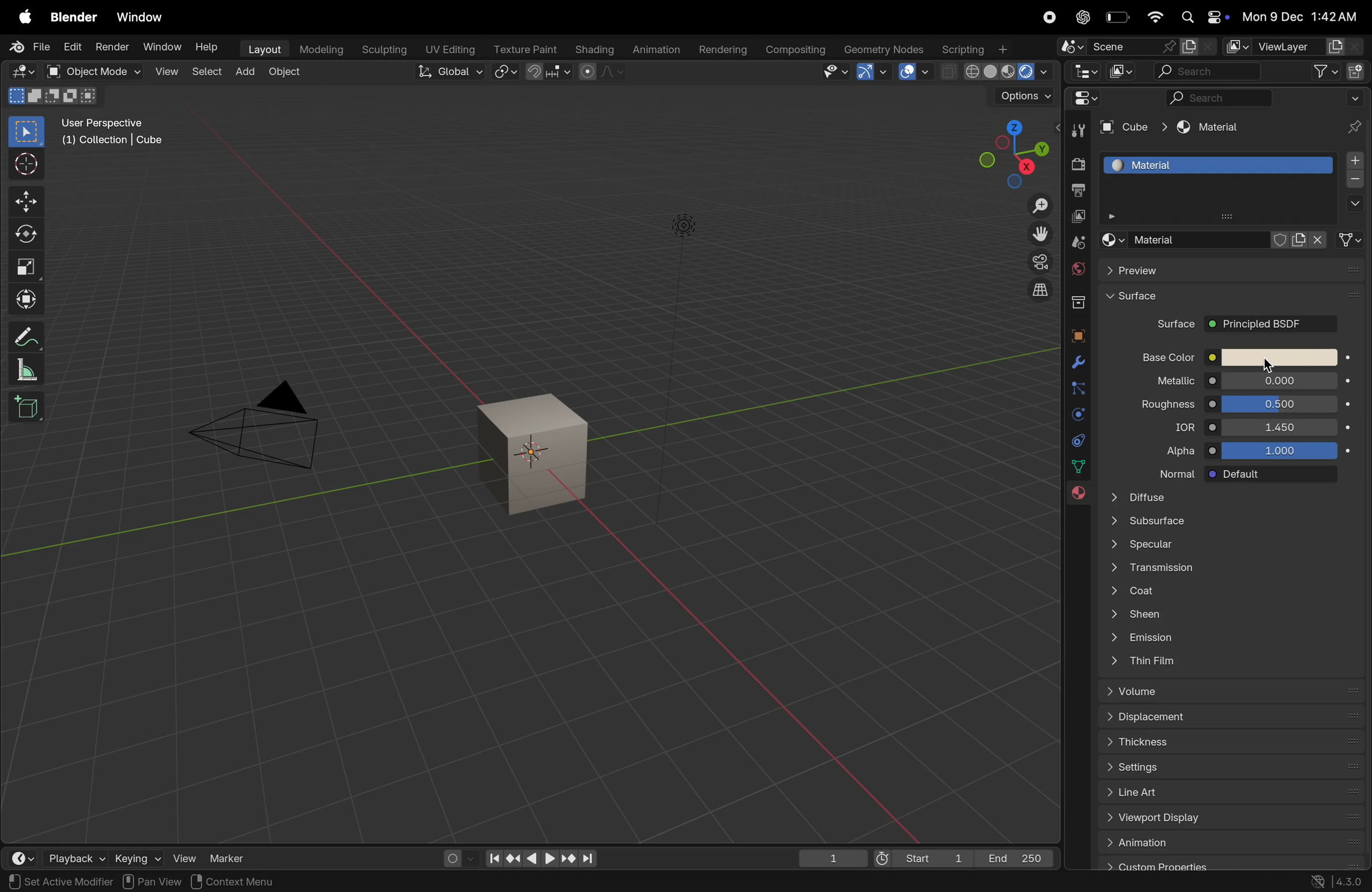 The image size is (1372, 892). Describe the element at coordinates (1227, 819) in the screenshot. I see `view port display` at that location.